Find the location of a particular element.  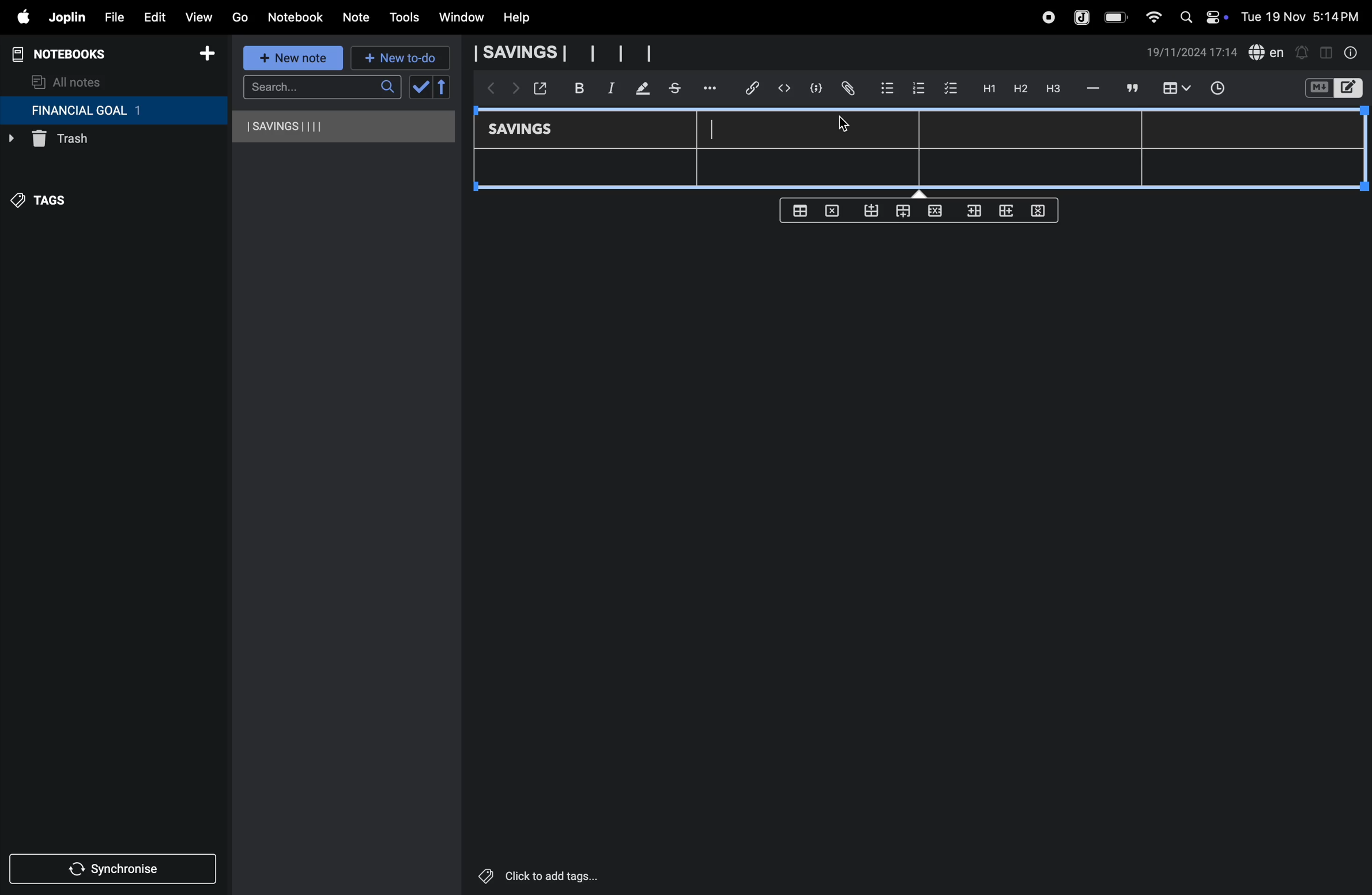

H1 is located at coordinates (987, 89).